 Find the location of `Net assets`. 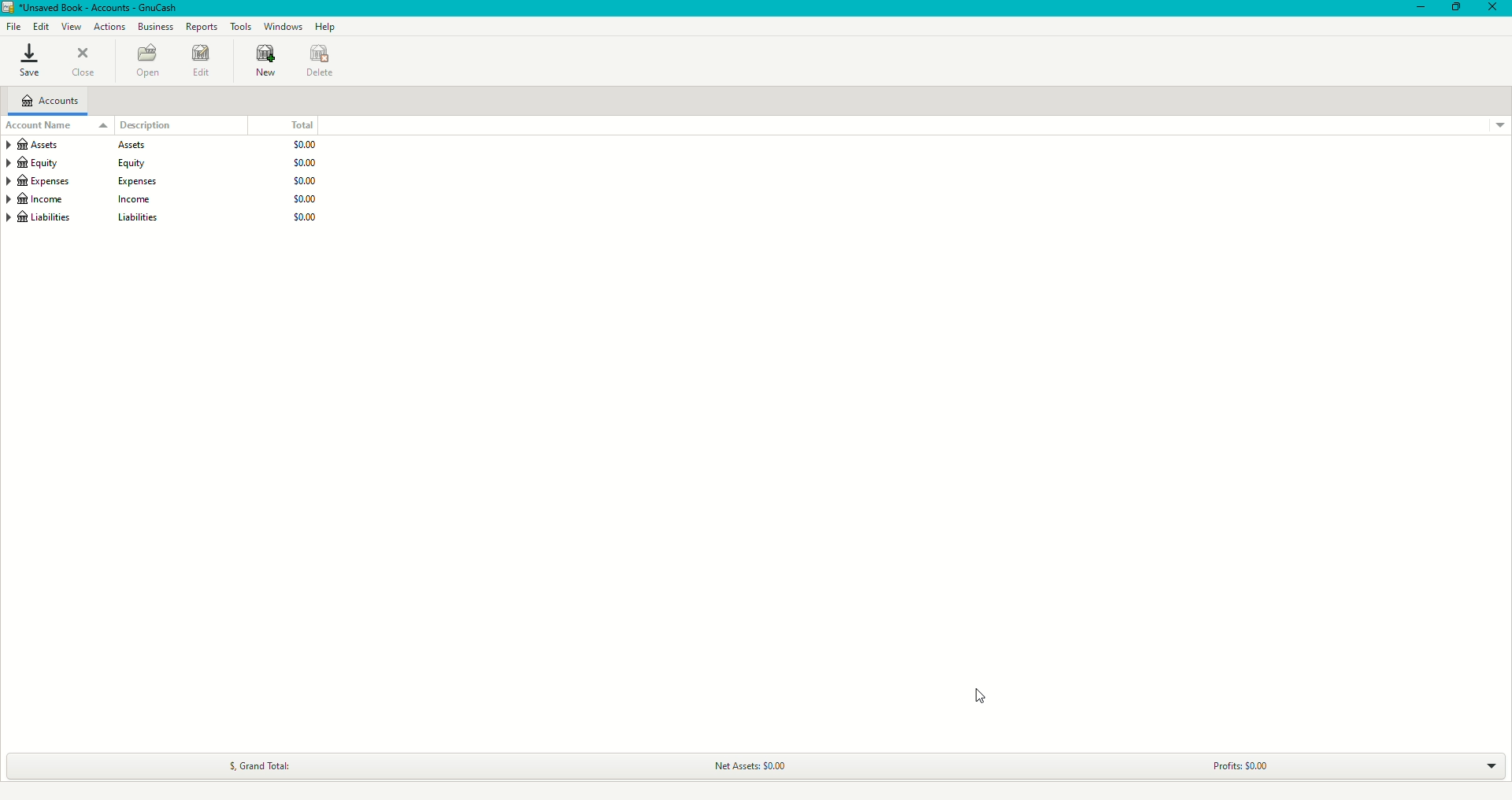

Net assets is located at coordinates (751, 765).